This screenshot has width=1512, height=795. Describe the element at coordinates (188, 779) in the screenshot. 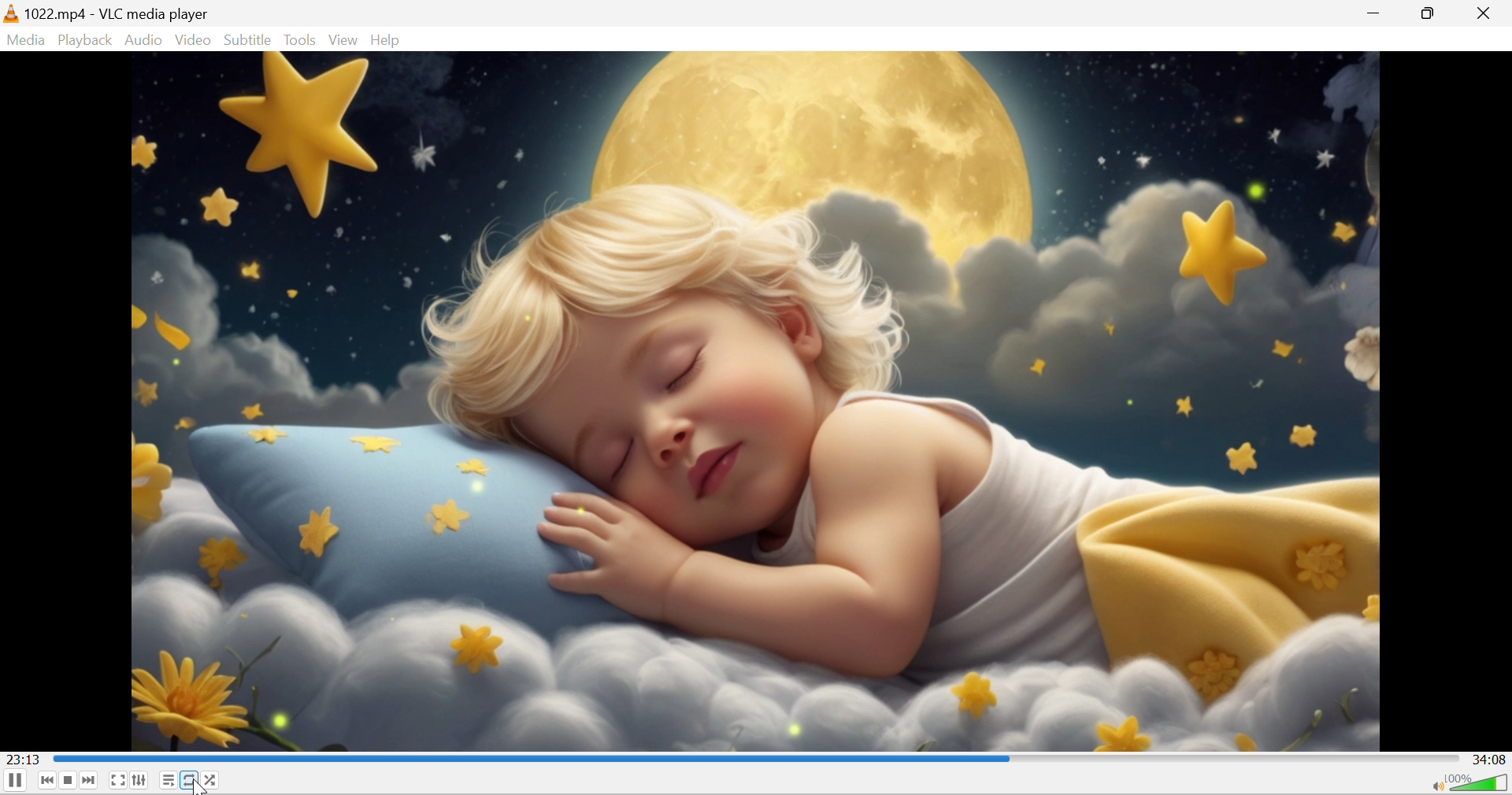

I see `repeat` at that location.